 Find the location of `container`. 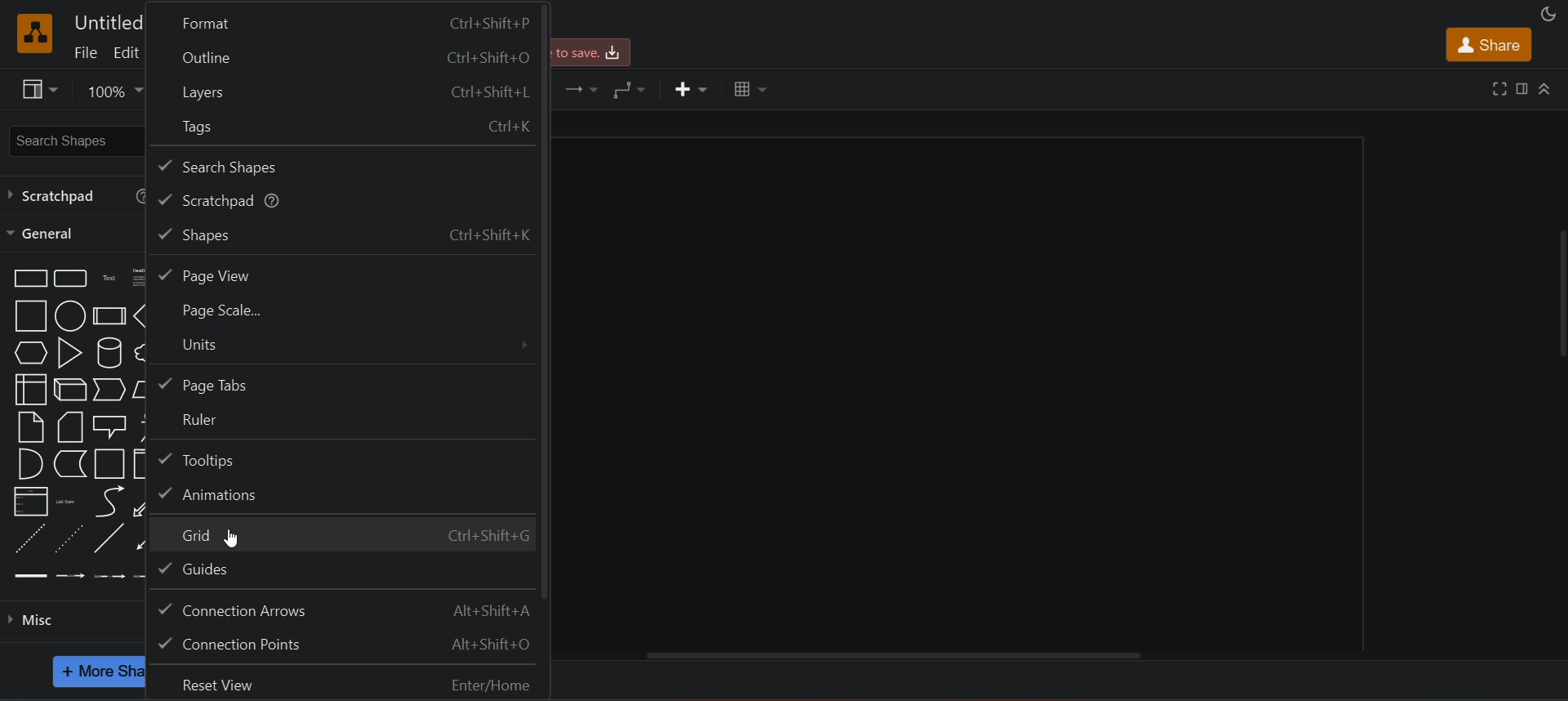

container is located at coordinates (109, 463).